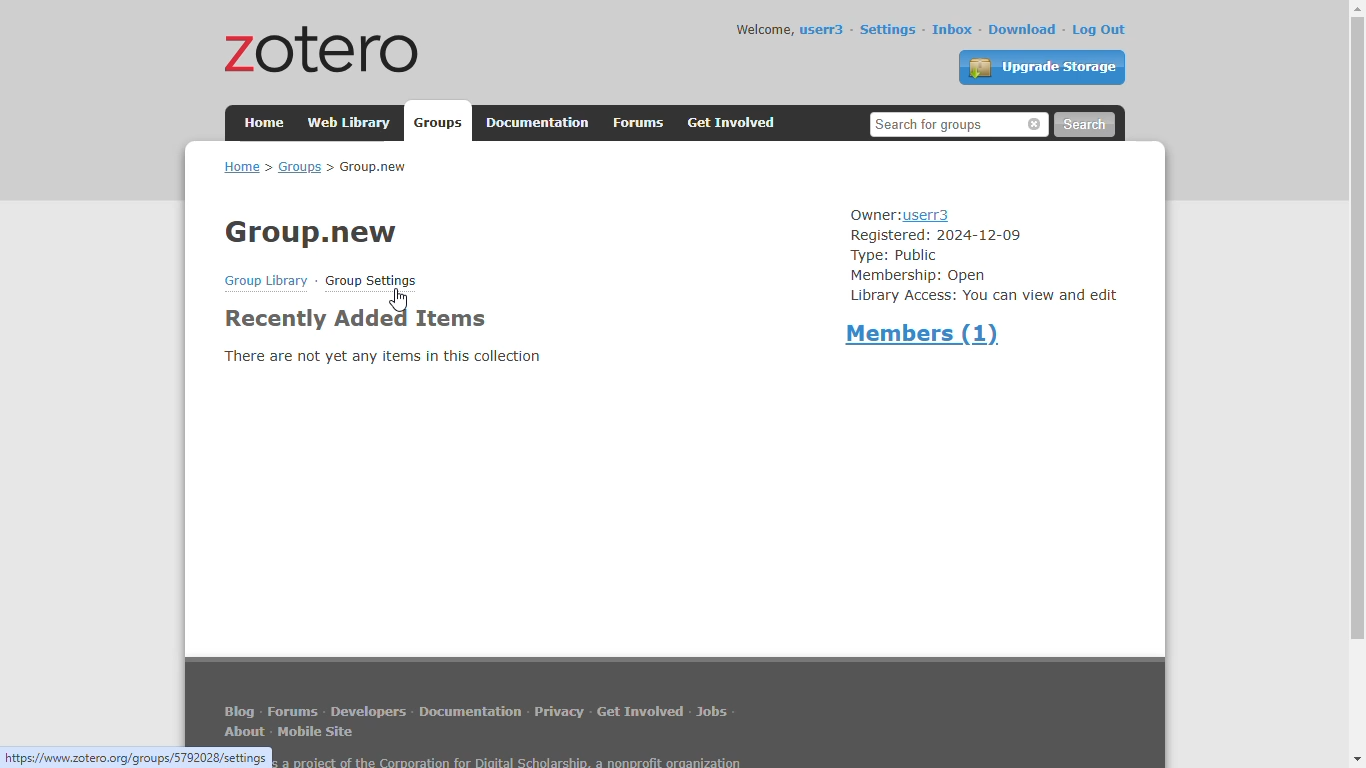 The width and height of the screenshot is (1366, 768). What do you see at coordinates (888, 29) in the screenshot?
I see `settings` at bounding box center [888, 29].